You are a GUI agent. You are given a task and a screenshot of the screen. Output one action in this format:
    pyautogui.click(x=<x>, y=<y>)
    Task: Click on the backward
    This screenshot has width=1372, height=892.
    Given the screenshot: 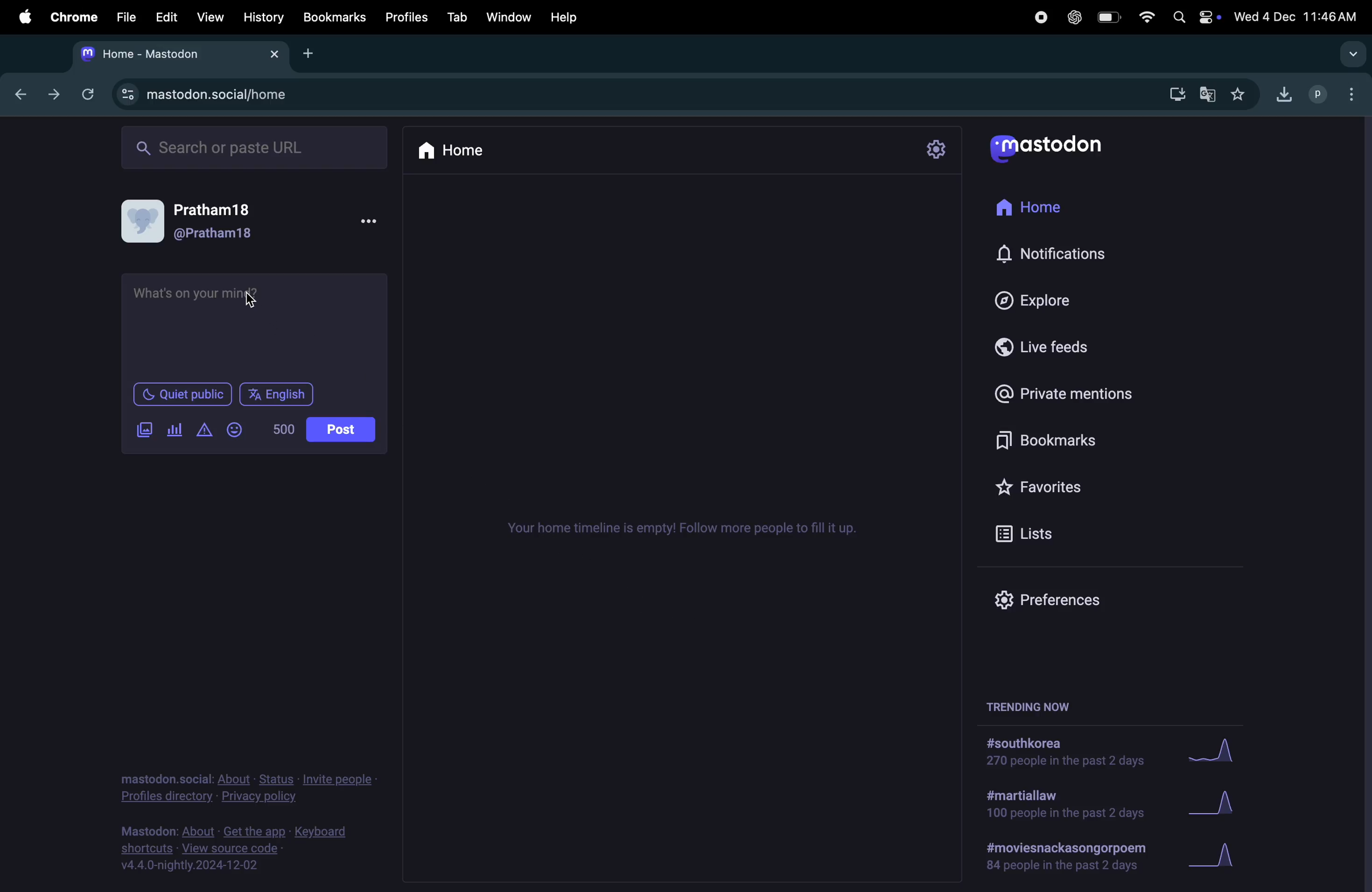 What is the action you would take?
    pyautogui.click(x=24, y=92)
    